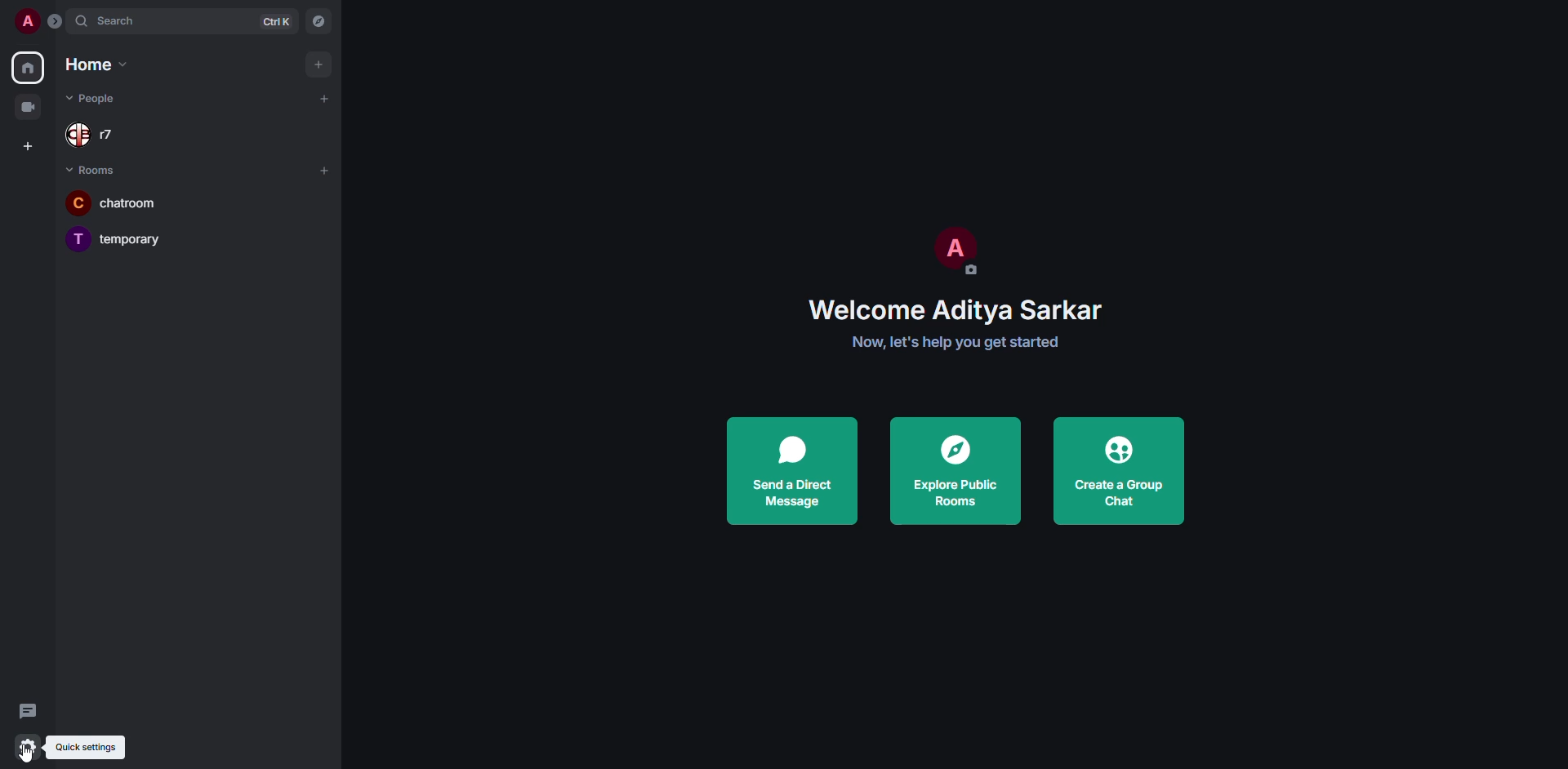 This screenshot has width=1568, height=769. I want to click on explore public rooms, so click(954, 469).